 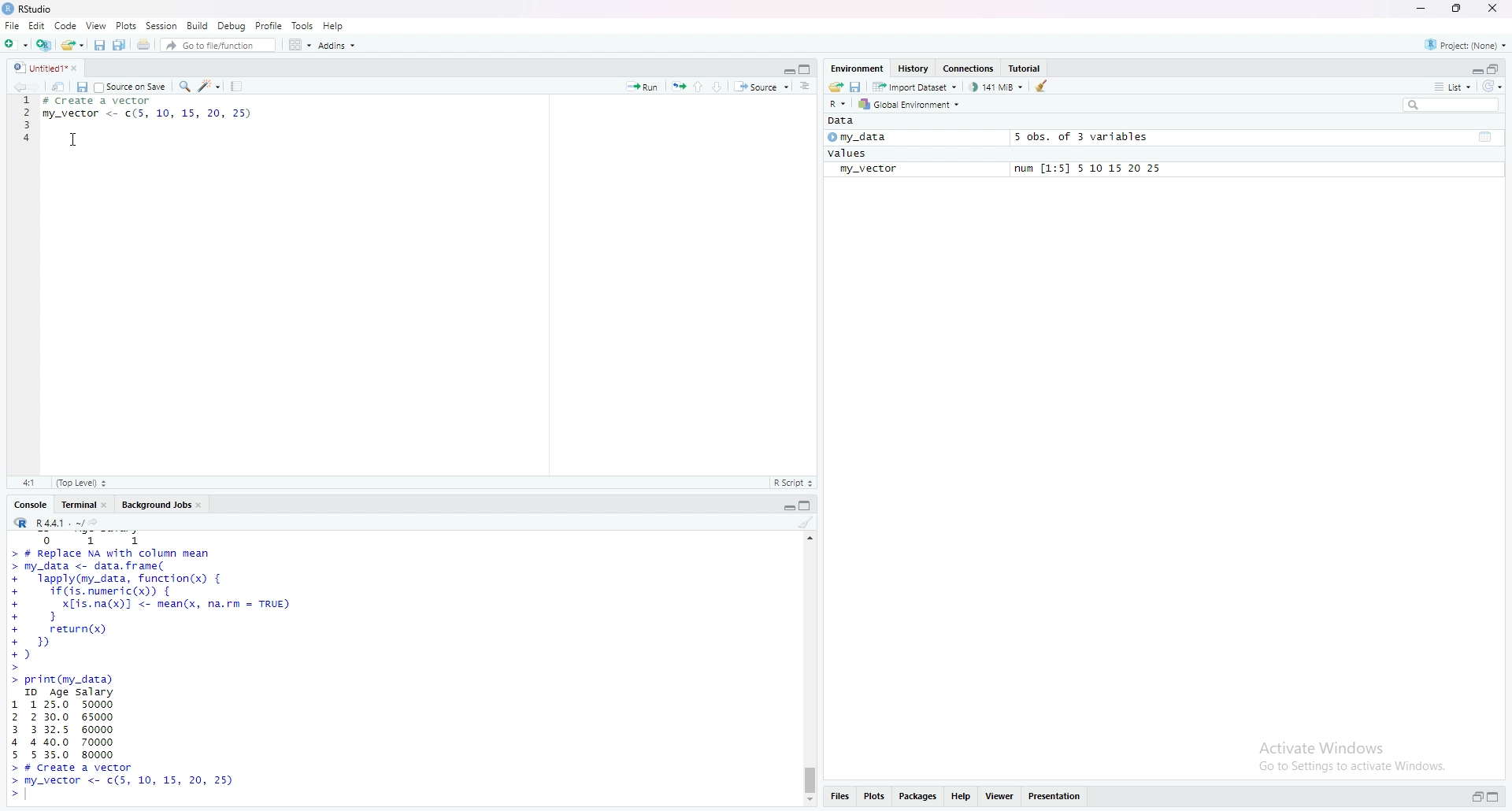 I want to click on minimize, so click(x=1420, y=9).